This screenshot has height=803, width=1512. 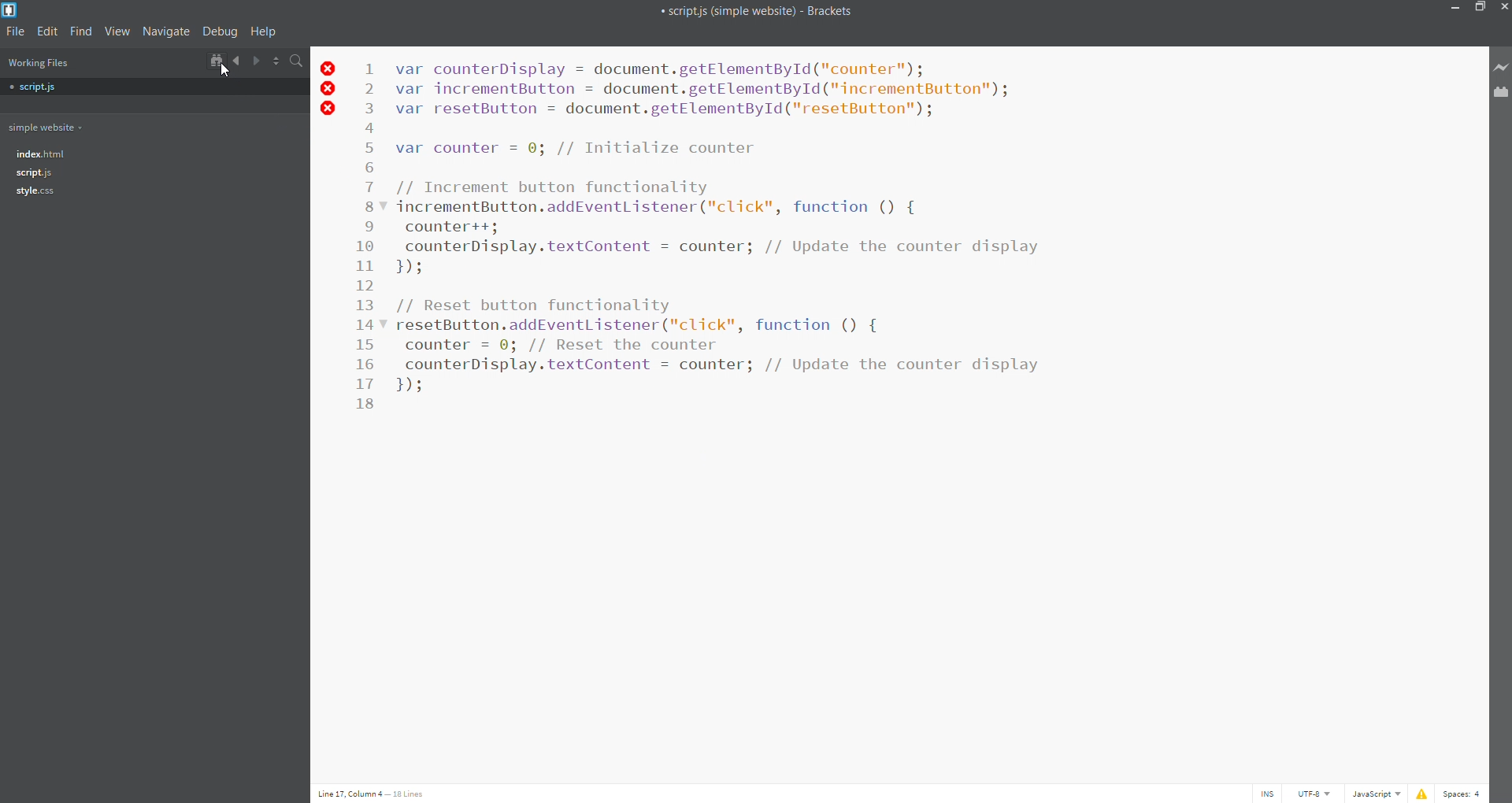 I want to click on Line 17, Column 4 — 18 Lines, so click(x=373, y=794).